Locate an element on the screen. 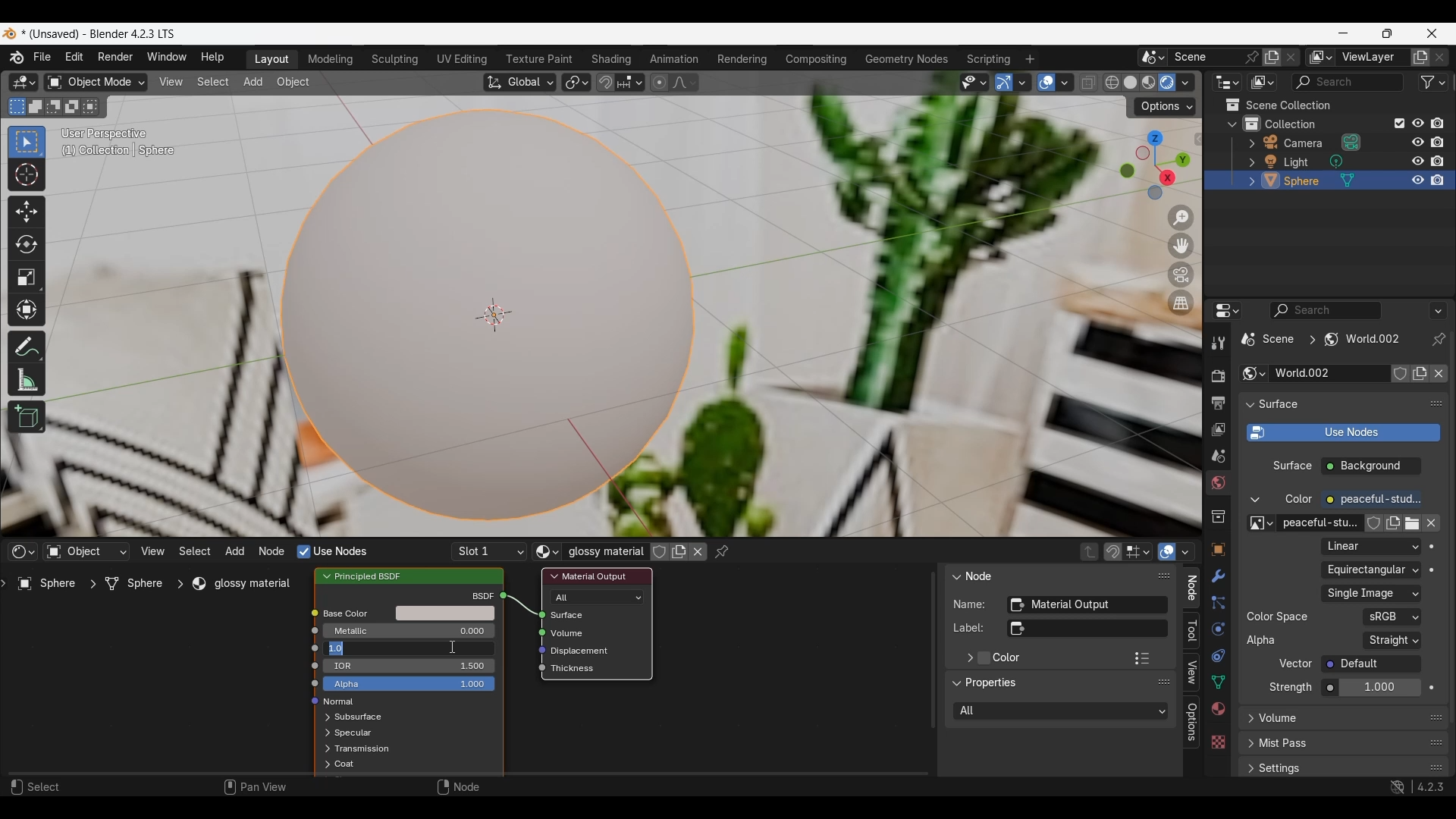 This screenshot has height=819, width=1456. Select menu is located at coordinates (194, 551).